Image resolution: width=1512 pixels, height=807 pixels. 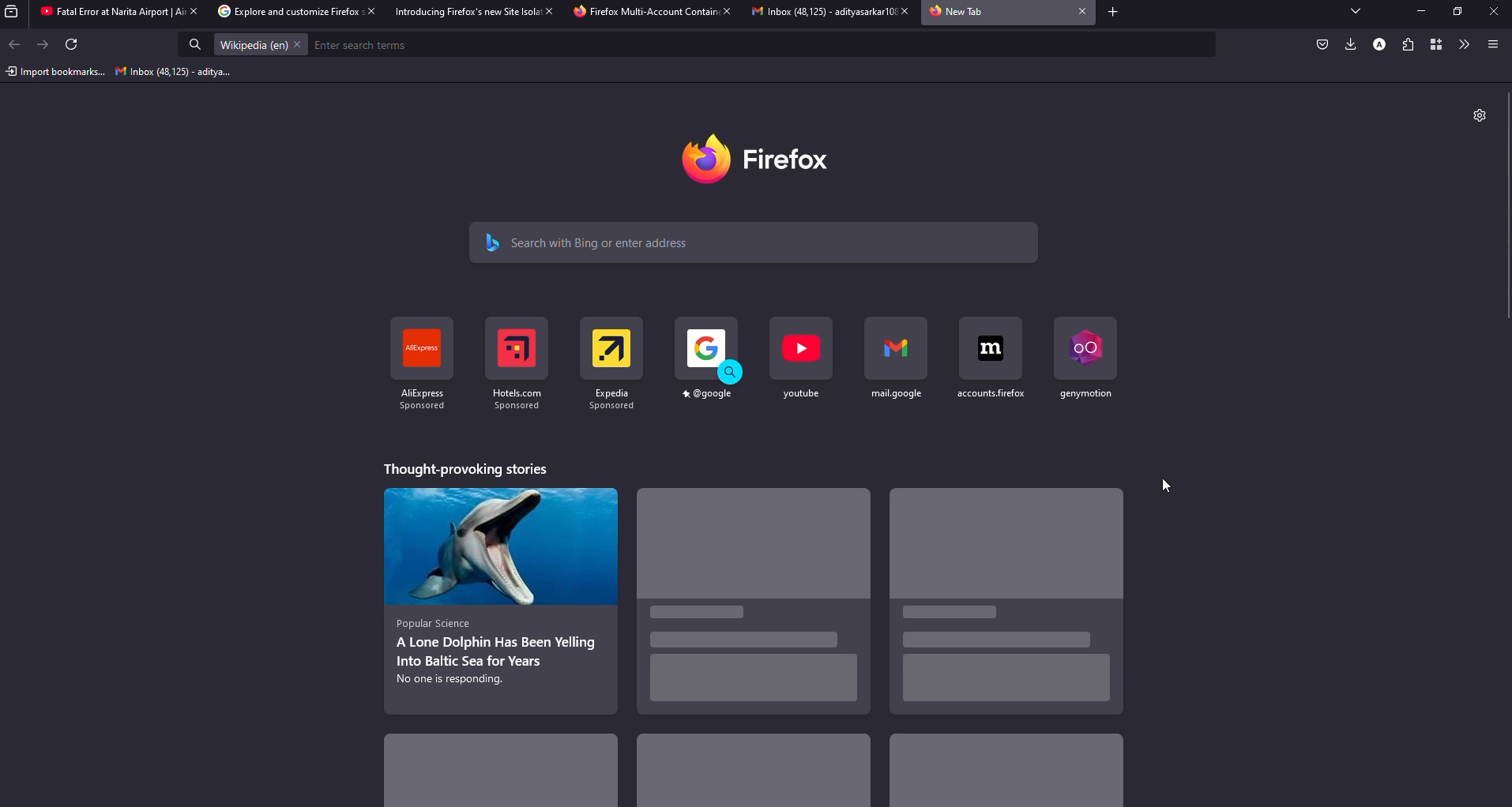 I want to click on enter search, so click(x=365, y=45).